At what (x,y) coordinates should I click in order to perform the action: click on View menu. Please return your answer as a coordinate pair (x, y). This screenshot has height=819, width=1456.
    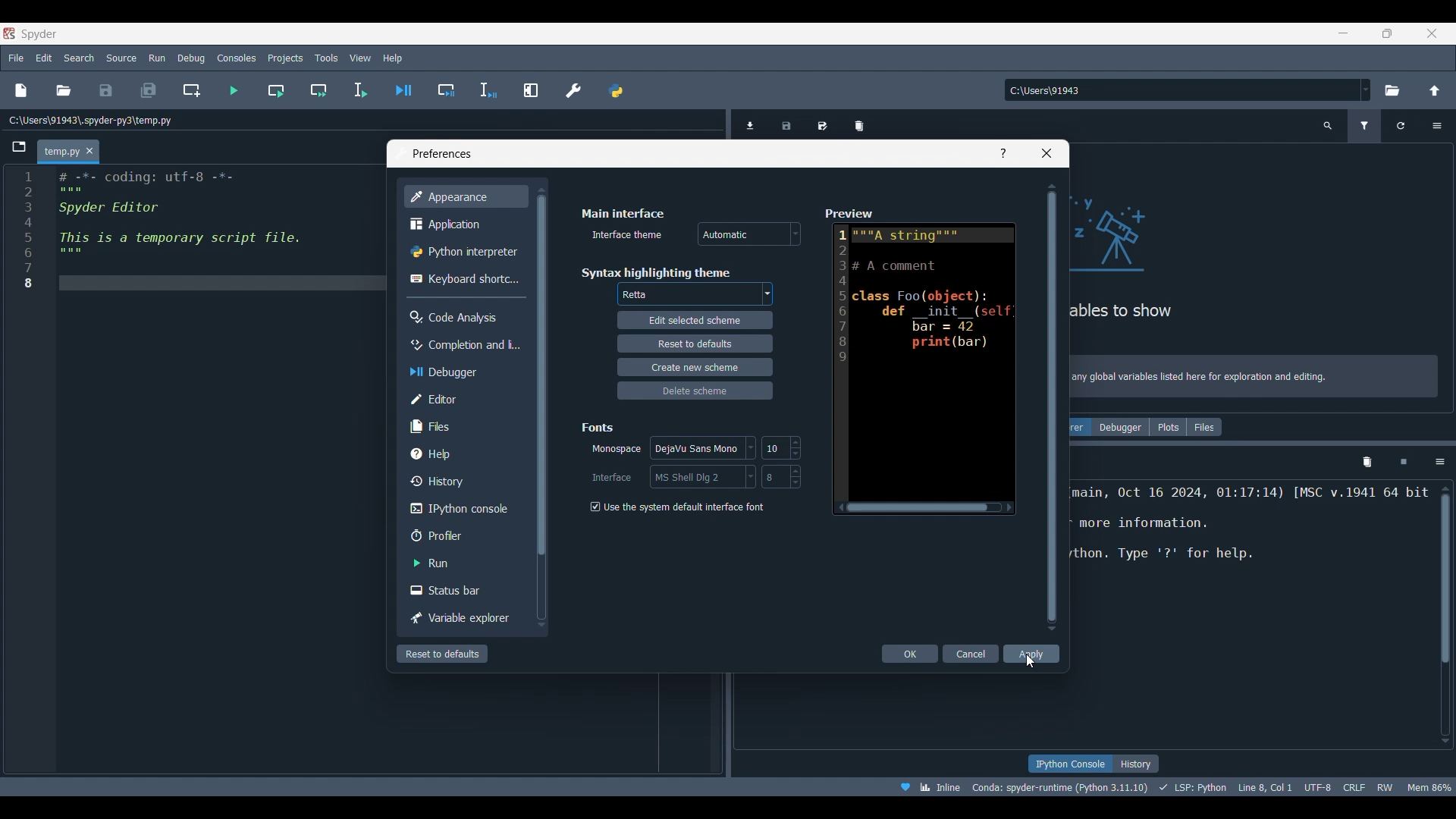
    Looking at the image, I should click on (360, 58).